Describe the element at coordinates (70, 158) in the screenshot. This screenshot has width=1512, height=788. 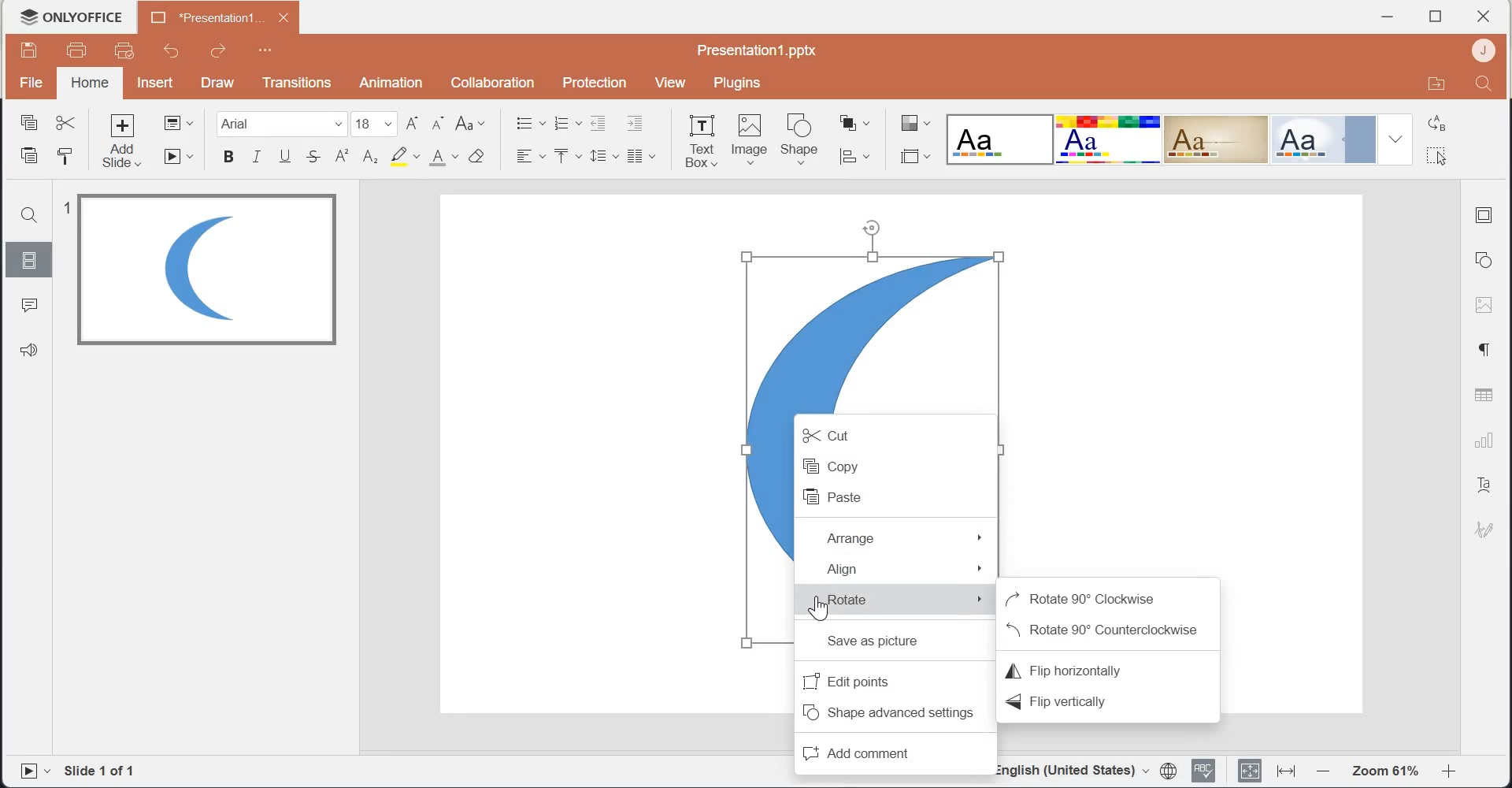
I see `Copy style` at that location.